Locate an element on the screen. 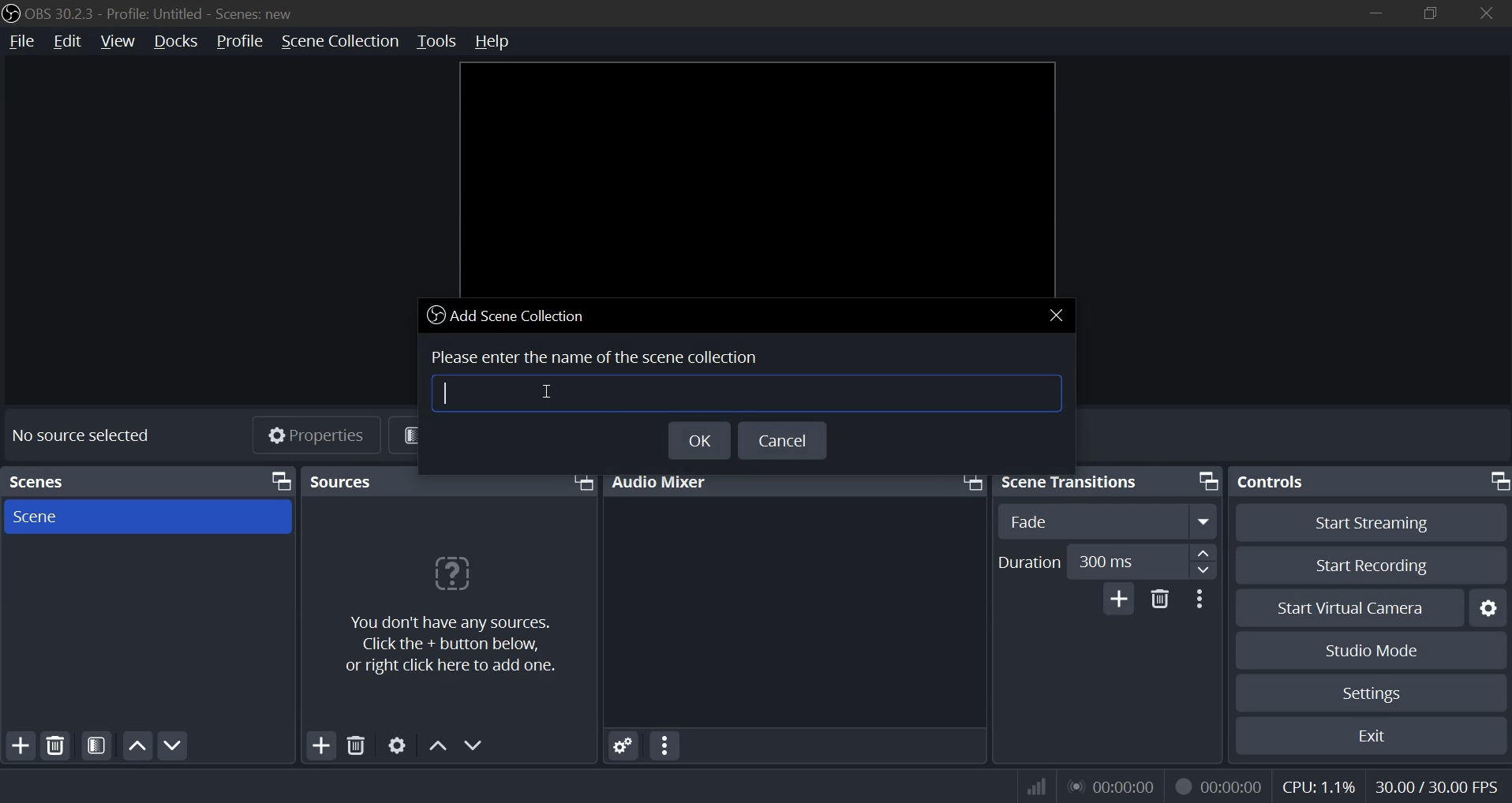 The height and width of the screenshot is (803, 1512). down is located at coordinates (475, 745).